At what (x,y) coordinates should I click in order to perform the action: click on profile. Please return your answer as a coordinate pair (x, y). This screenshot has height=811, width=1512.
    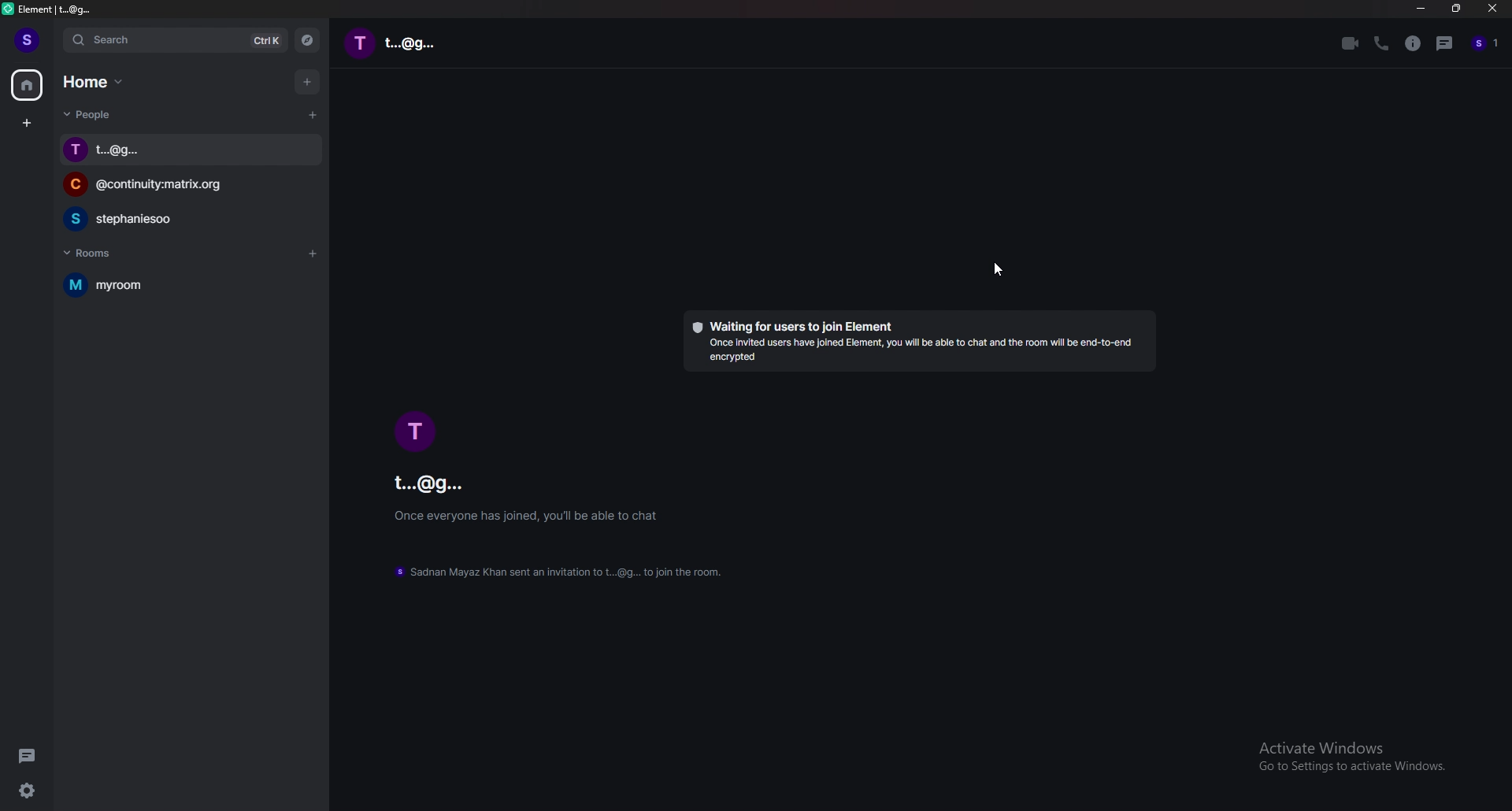
    Looking at the image, I should click on (1487, 44).